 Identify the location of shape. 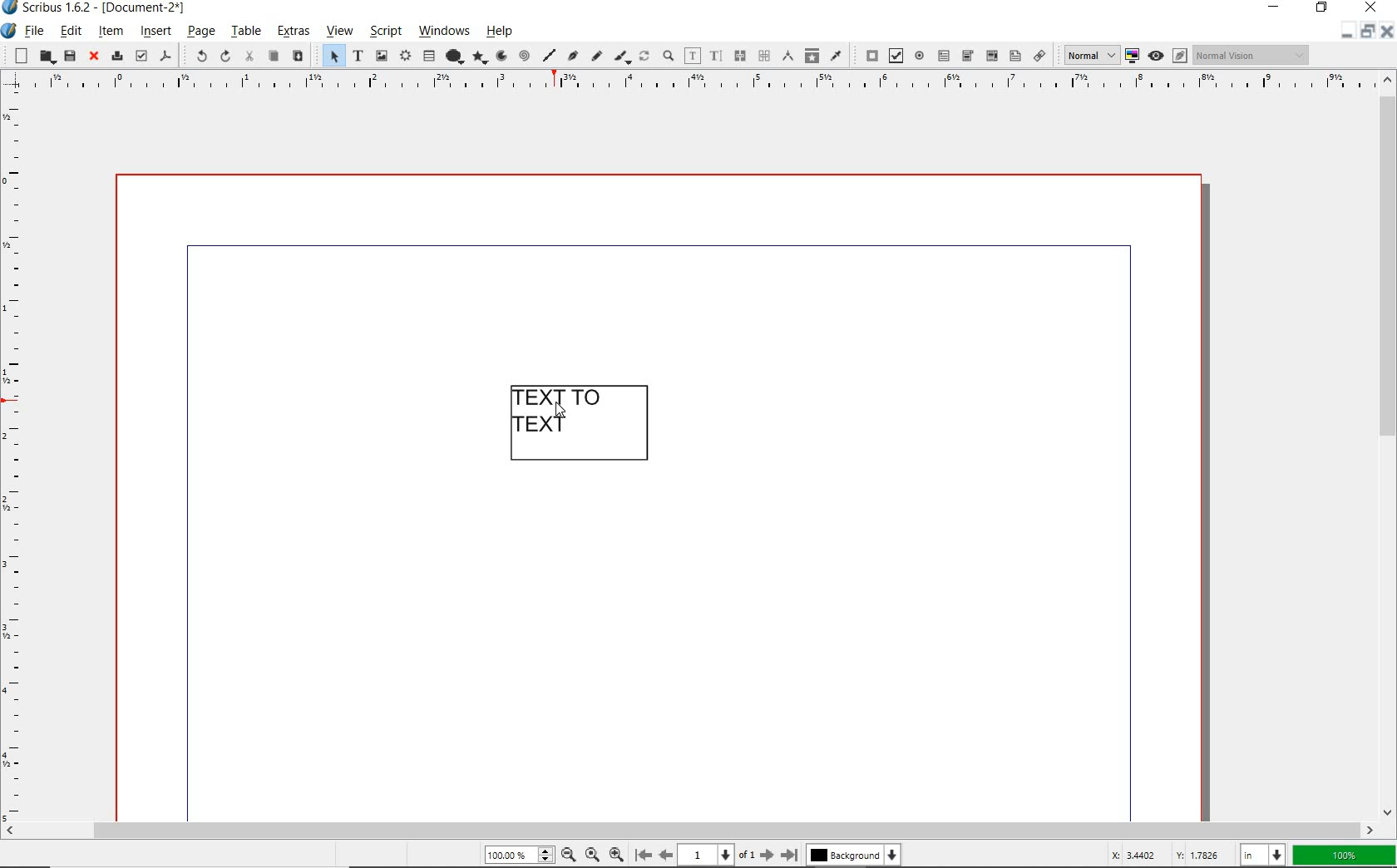
(454, 55).